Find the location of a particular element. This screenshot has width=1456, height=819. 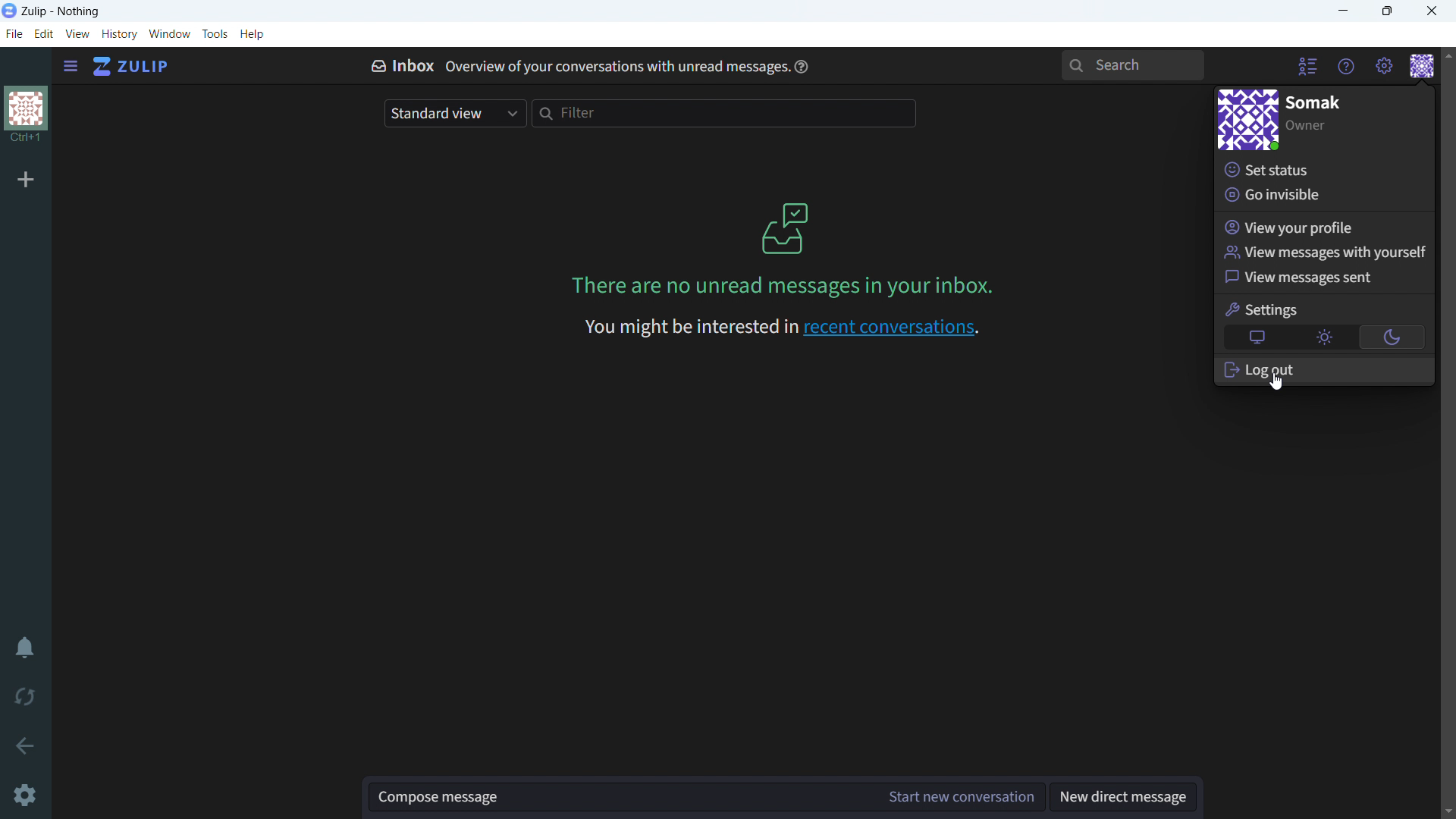

search is located at coordinates (1132, 65).